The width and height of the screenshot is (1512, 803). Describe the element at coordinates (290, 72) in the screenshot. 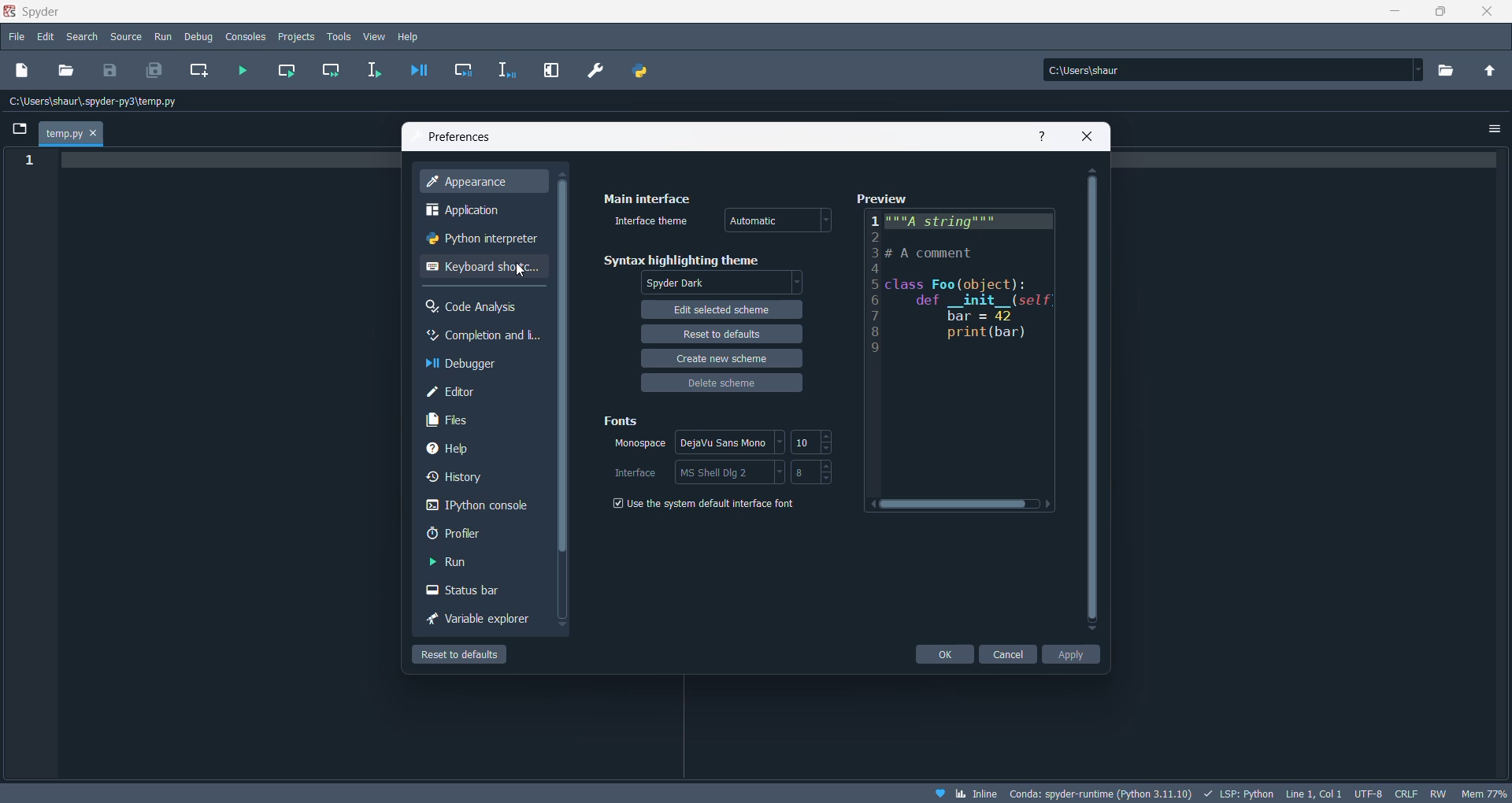

I see `run current cell` at that location.